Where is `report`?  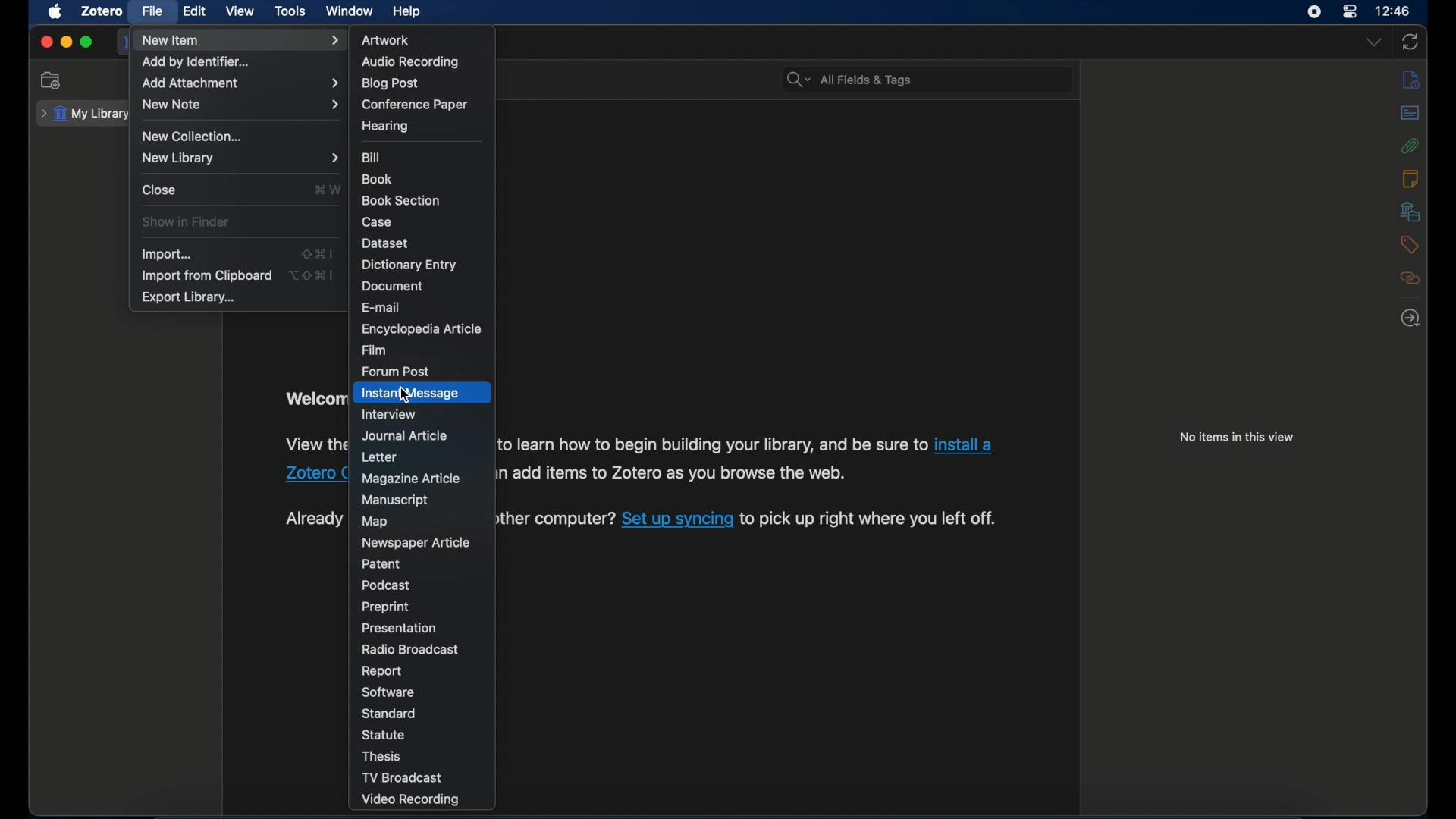 report is located at coordinates (381, 671).